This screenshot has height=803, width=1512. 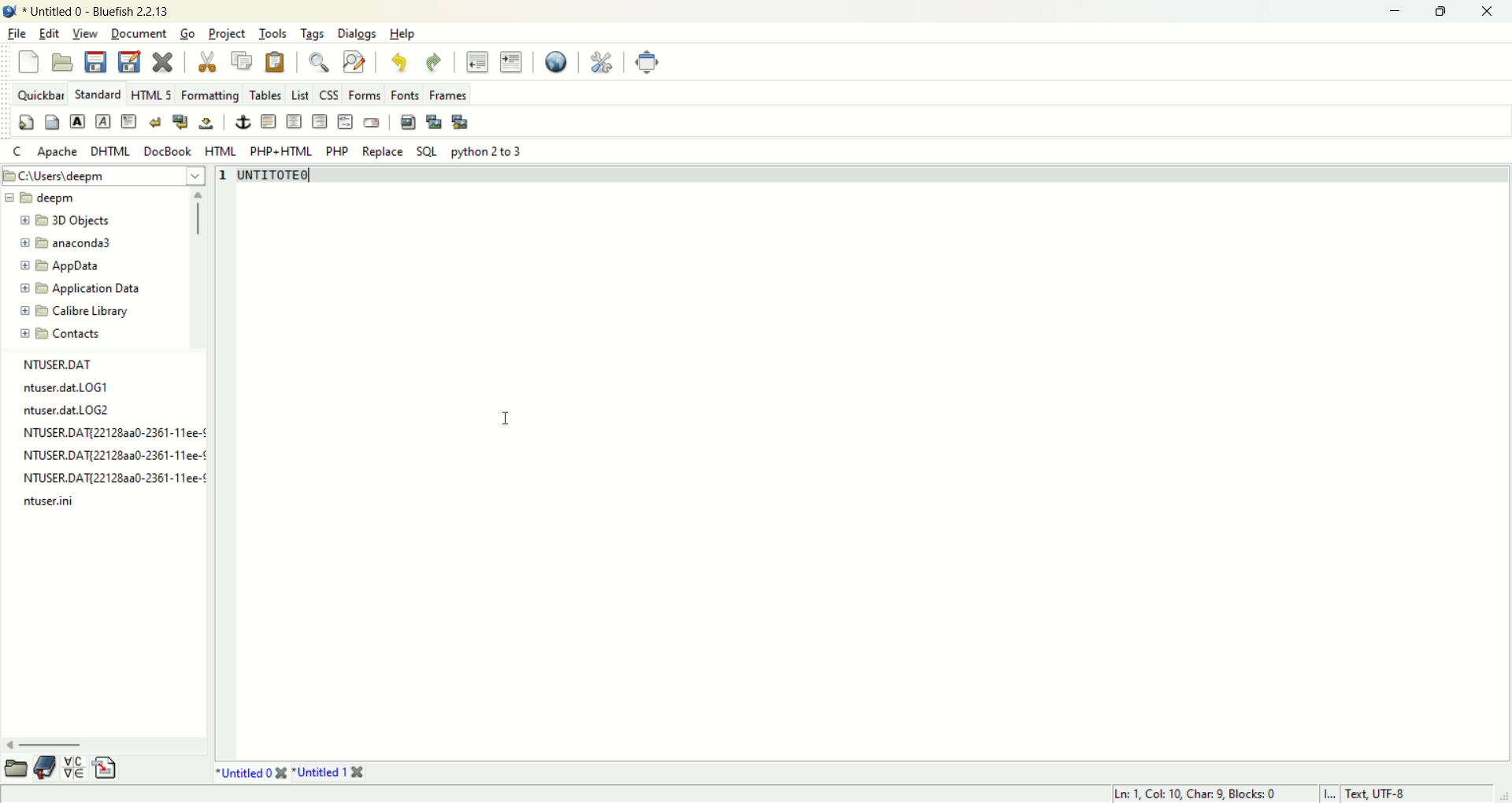 I want to click on calibre library, so click(x=76, y=311).